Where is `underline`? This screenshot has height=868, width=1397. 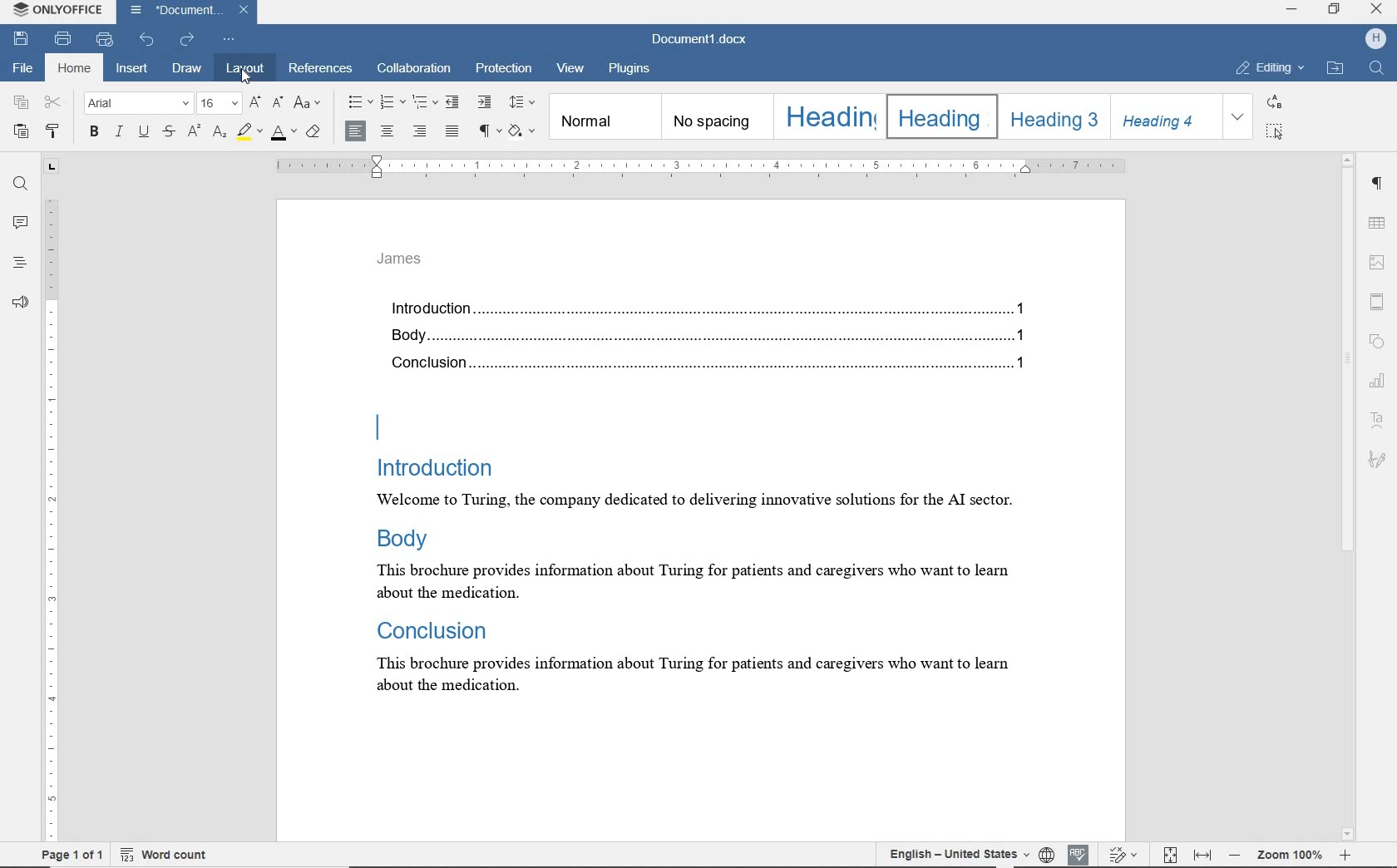 underline is located at coordinates (144, 132).